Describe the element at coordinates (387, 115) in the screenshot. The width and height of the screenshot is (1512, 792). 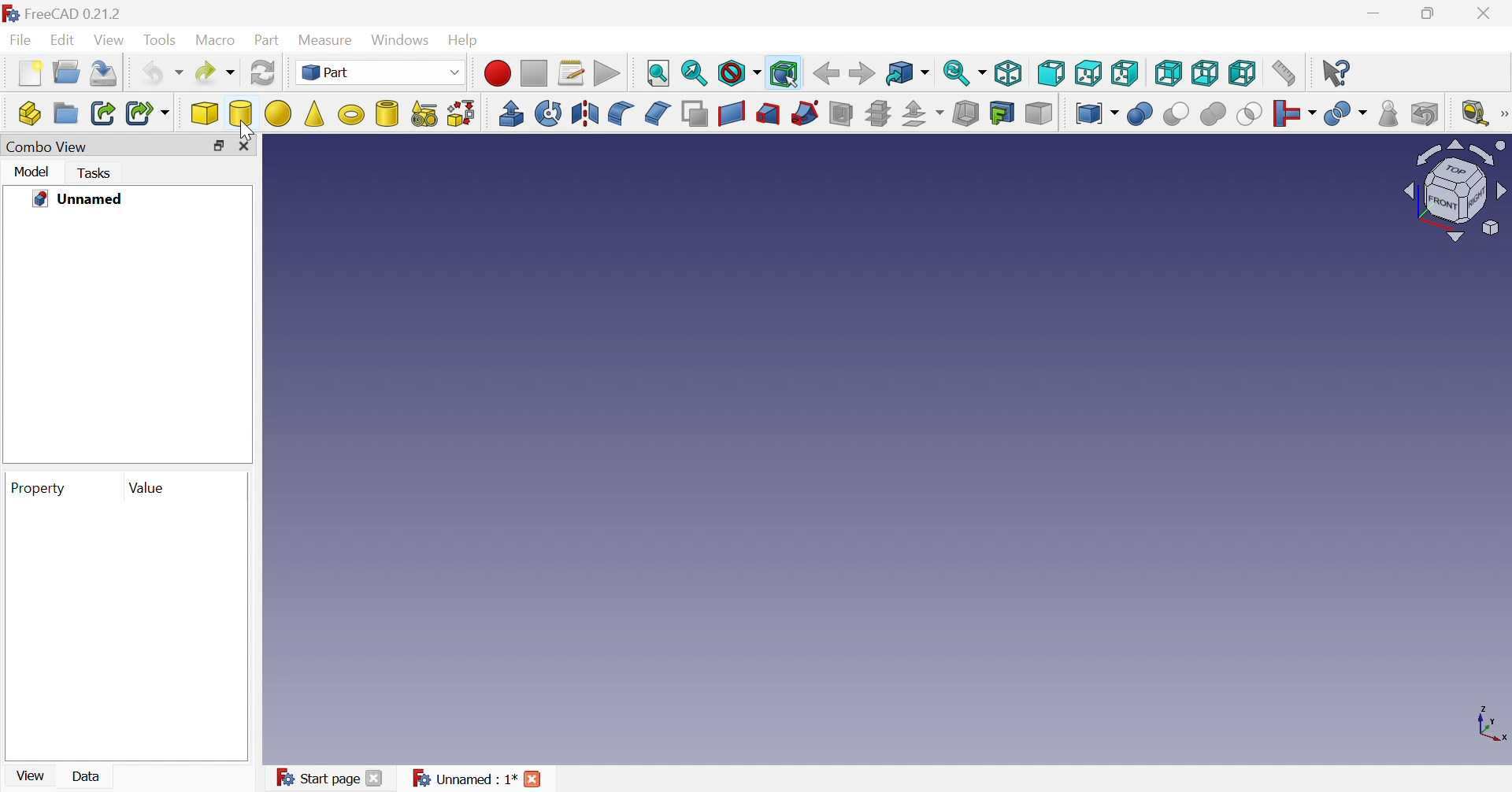
I see `cylinder` at that location.